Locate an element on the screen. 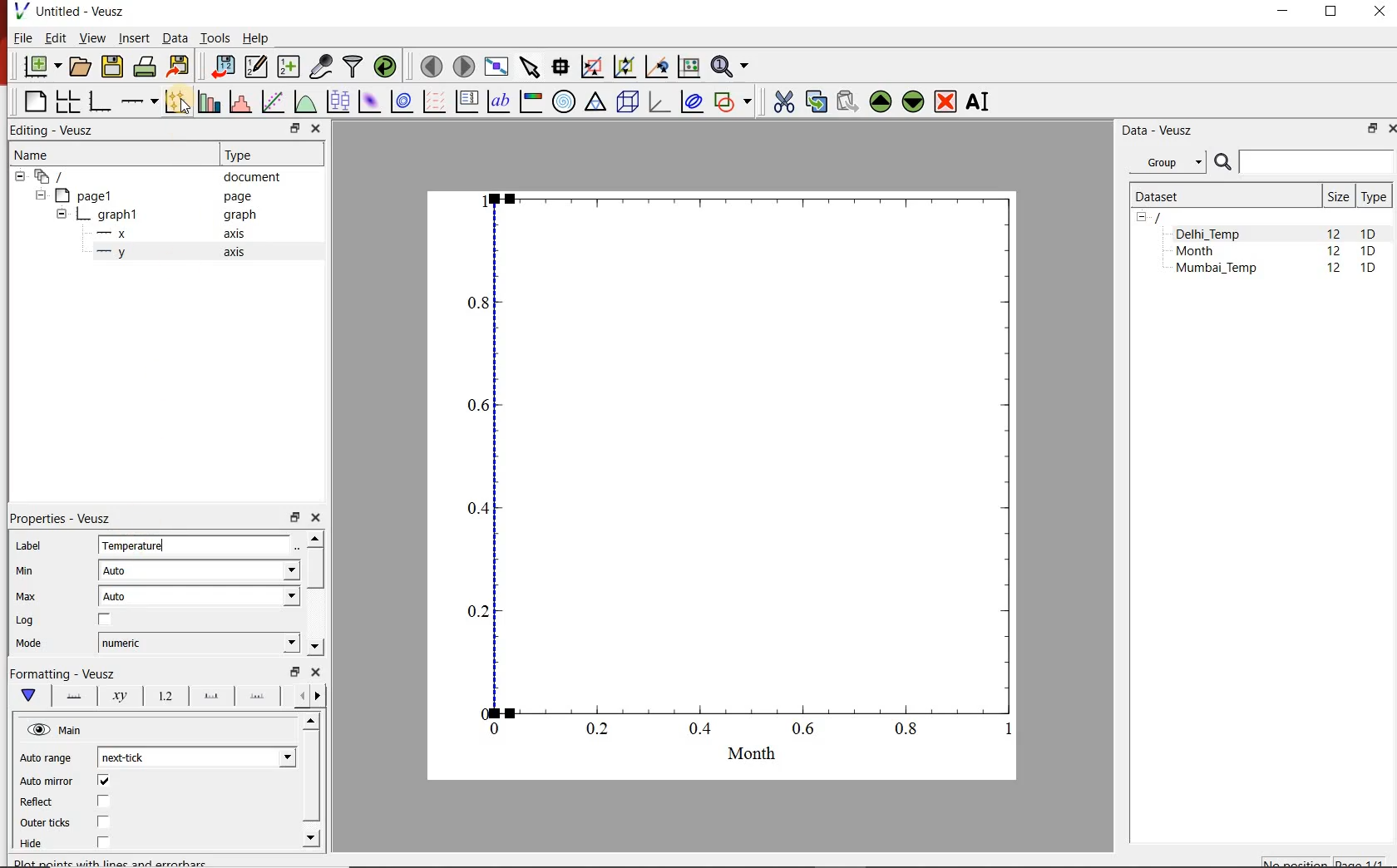 The image size is (1397, 868). Name is located at coordinates (33, 154).